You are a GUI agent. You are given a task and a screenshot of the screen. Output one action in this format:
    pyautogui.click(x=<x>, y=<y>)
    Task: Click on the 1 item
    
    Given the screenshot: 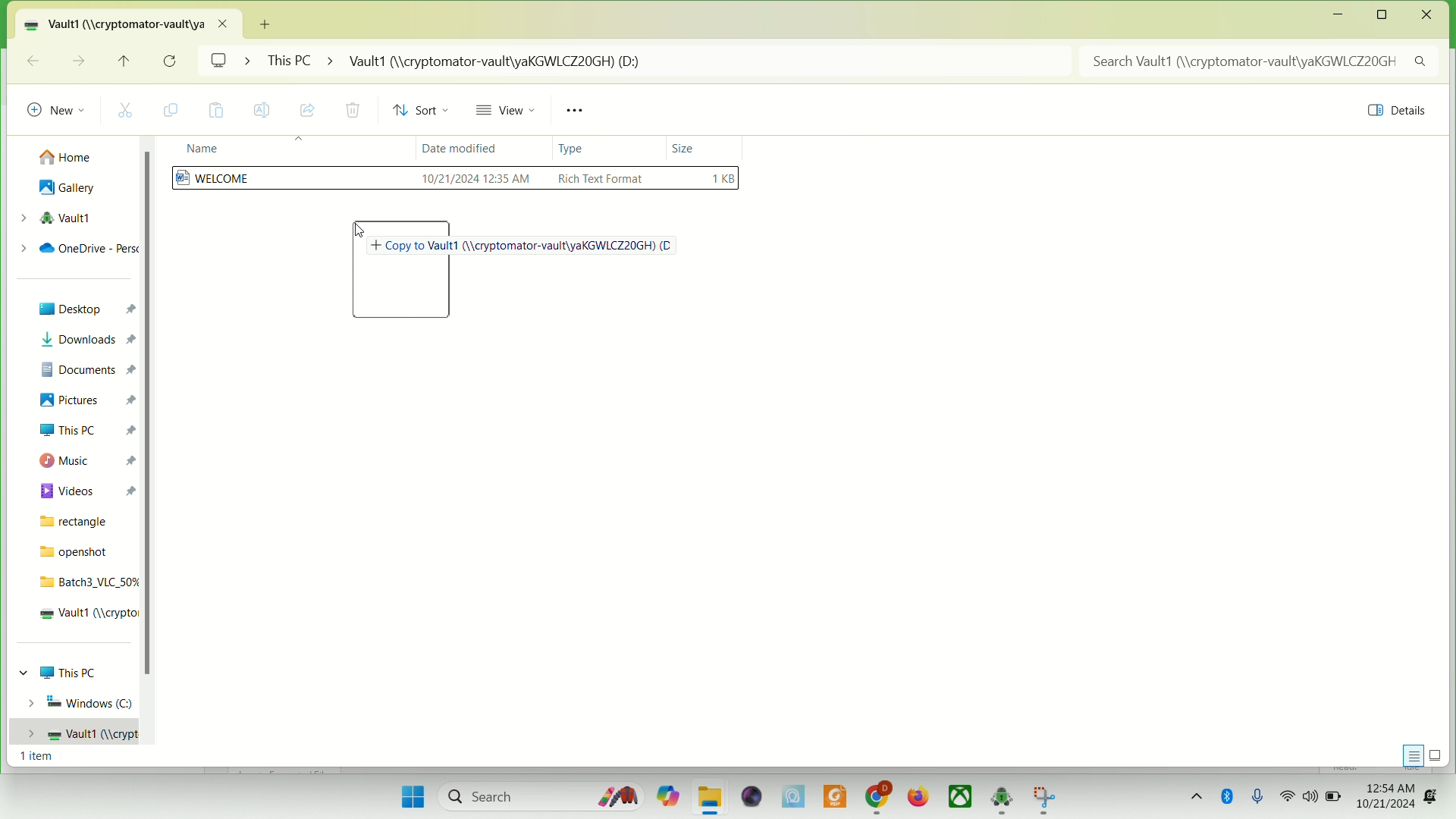 What is the action you would take?
    pyautogui.click(x=34, y=758)
    